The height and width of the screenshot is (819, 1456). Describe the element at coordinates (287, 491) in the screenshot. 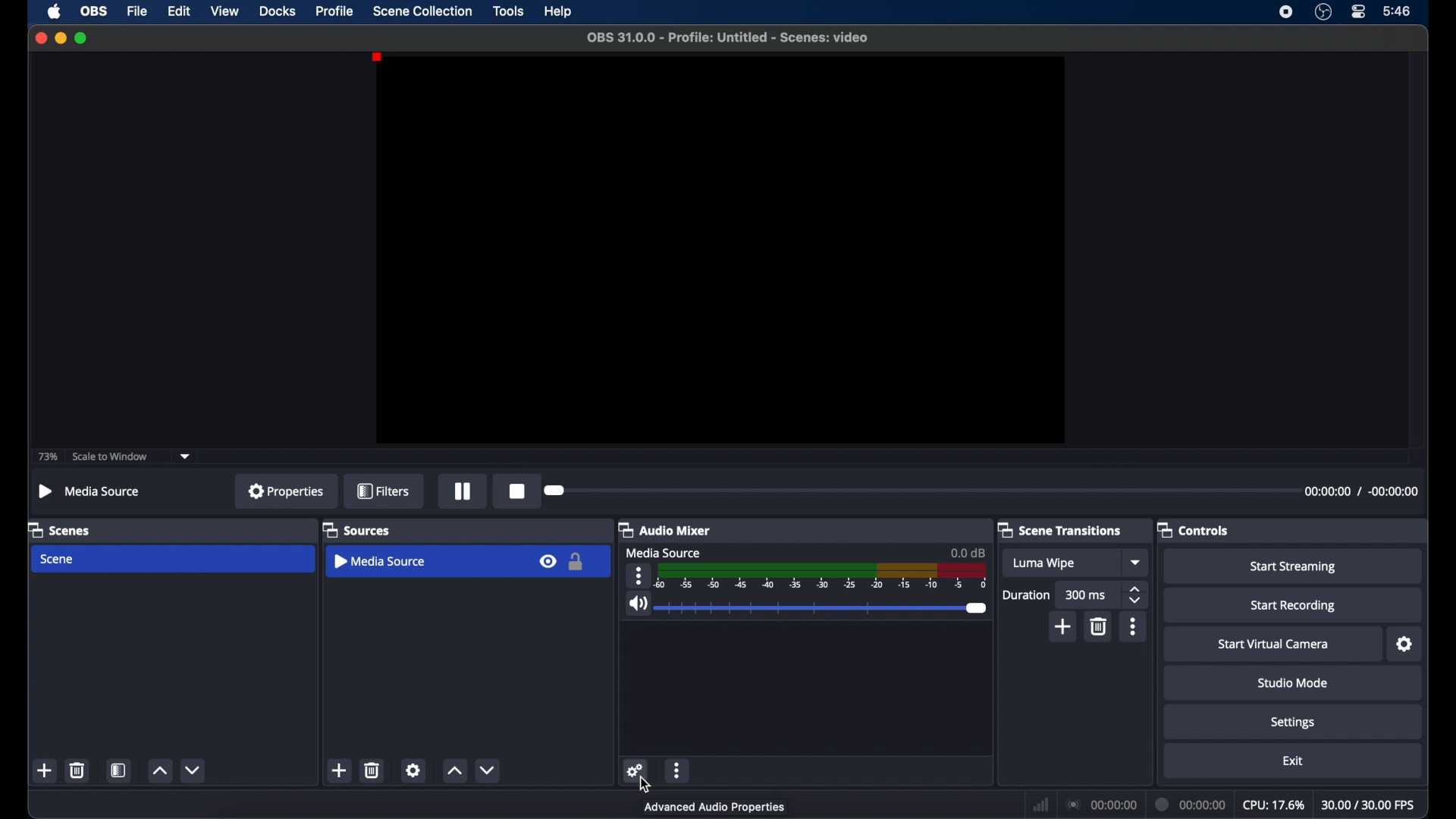

I see `properties` at that location.